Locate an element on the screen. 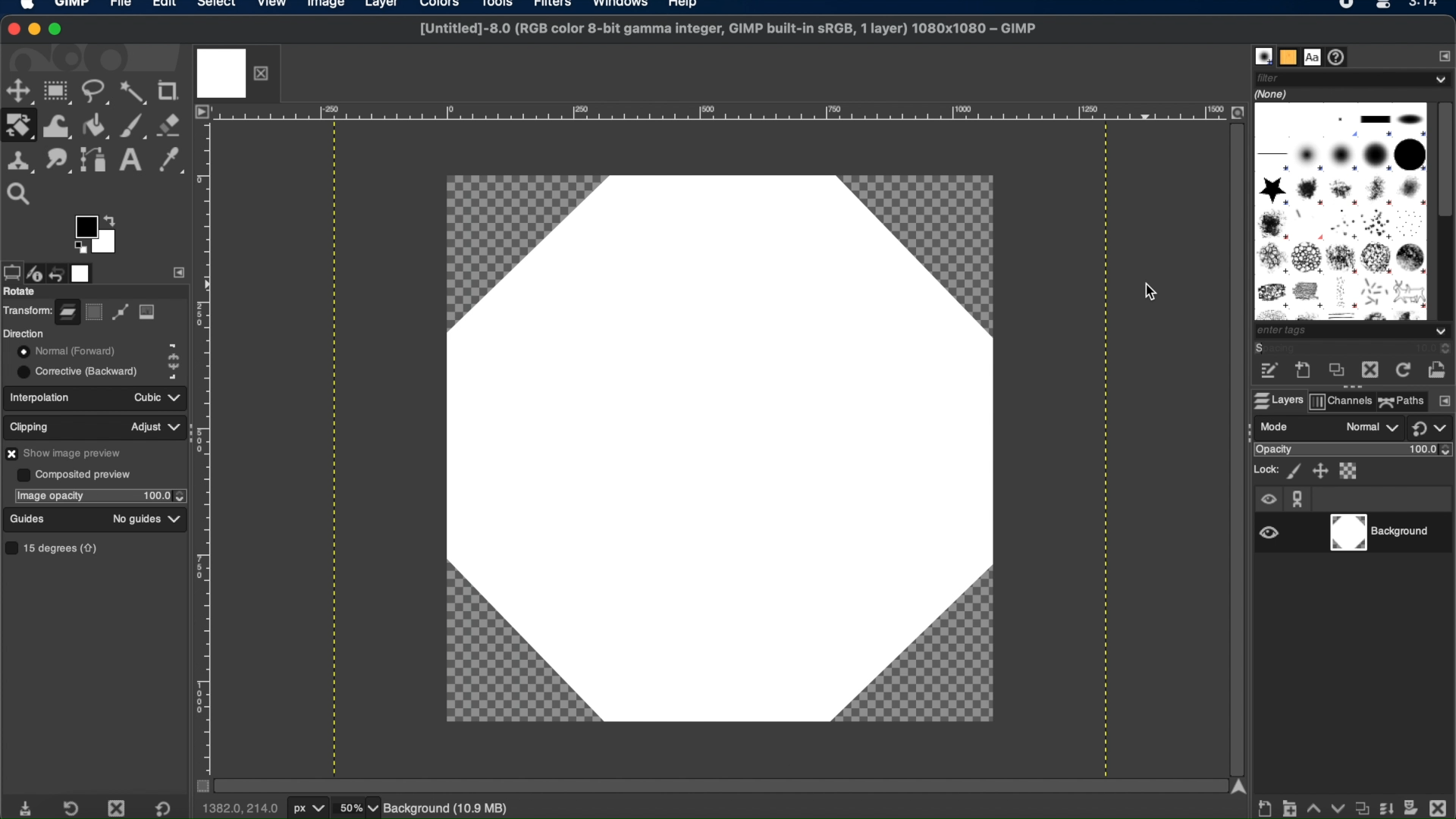 Image resolution: width=1456 pixels, height=819 pixels. paths is located at coordinates (1402, 400).